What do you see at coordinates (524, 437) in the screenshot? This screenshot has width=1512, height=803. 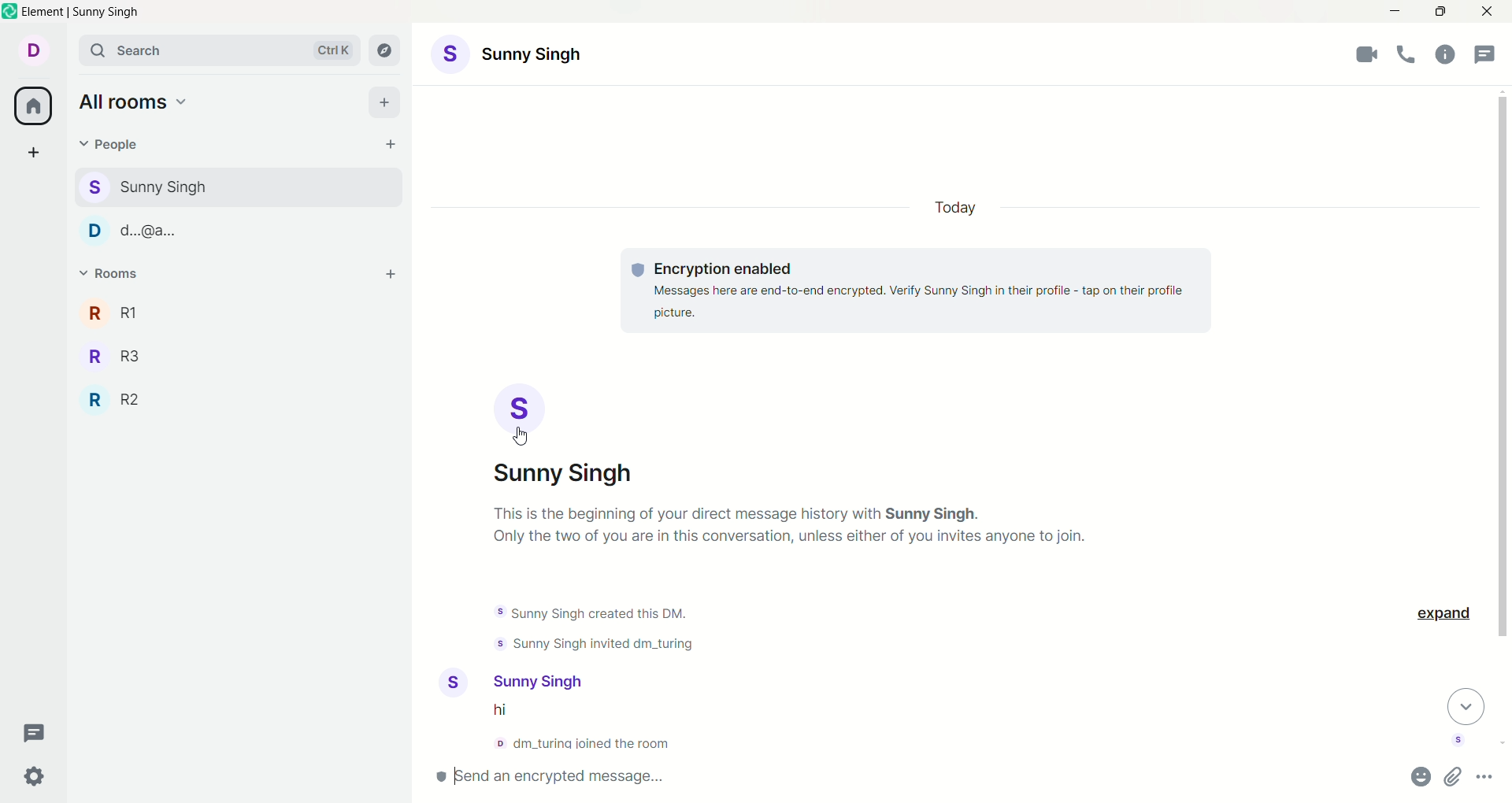 I see `cursor` at bounding box center [524, 437].